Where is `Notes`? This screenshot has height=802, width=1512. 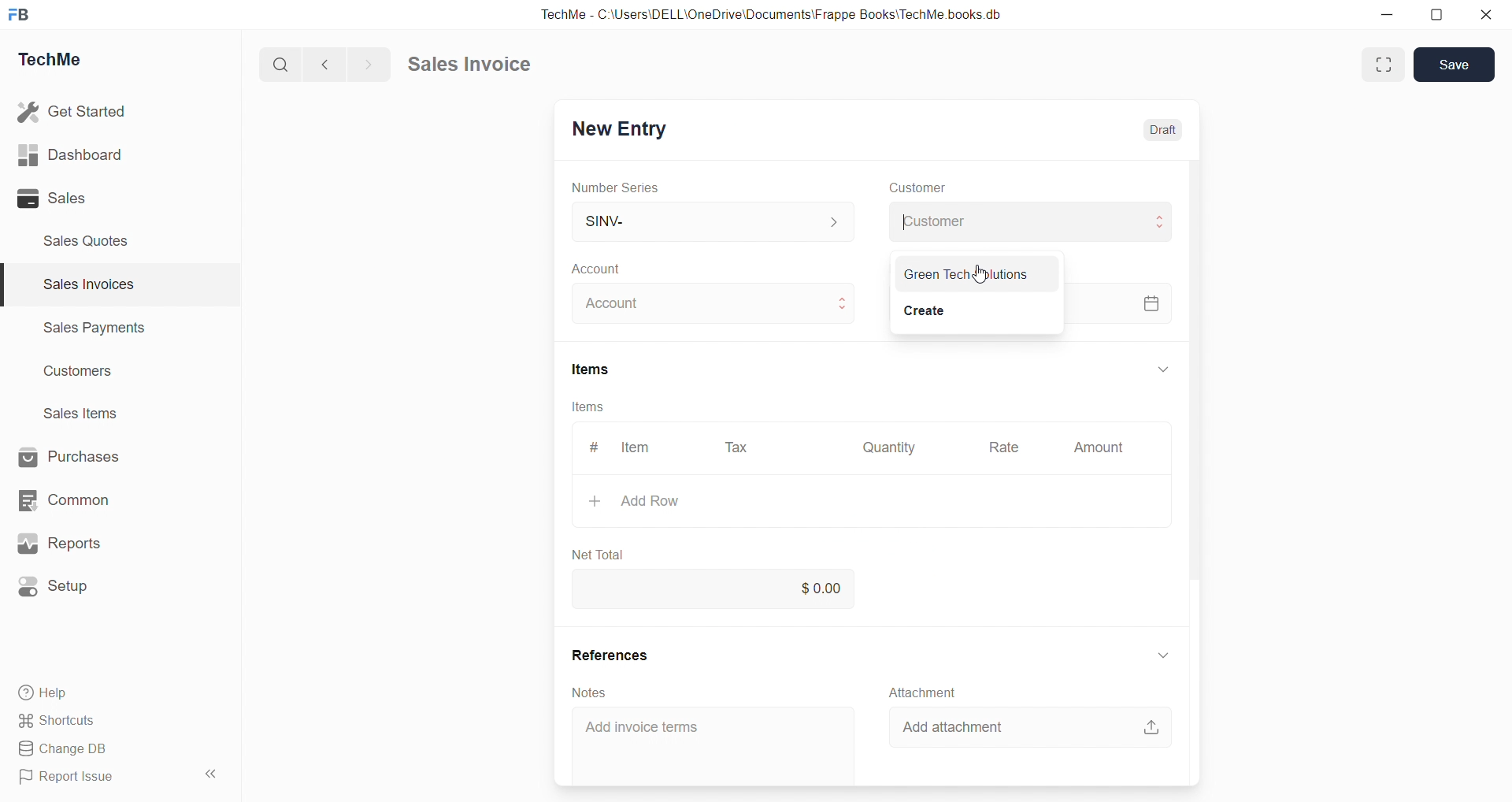 Notes is located at coordinates (587, 692).